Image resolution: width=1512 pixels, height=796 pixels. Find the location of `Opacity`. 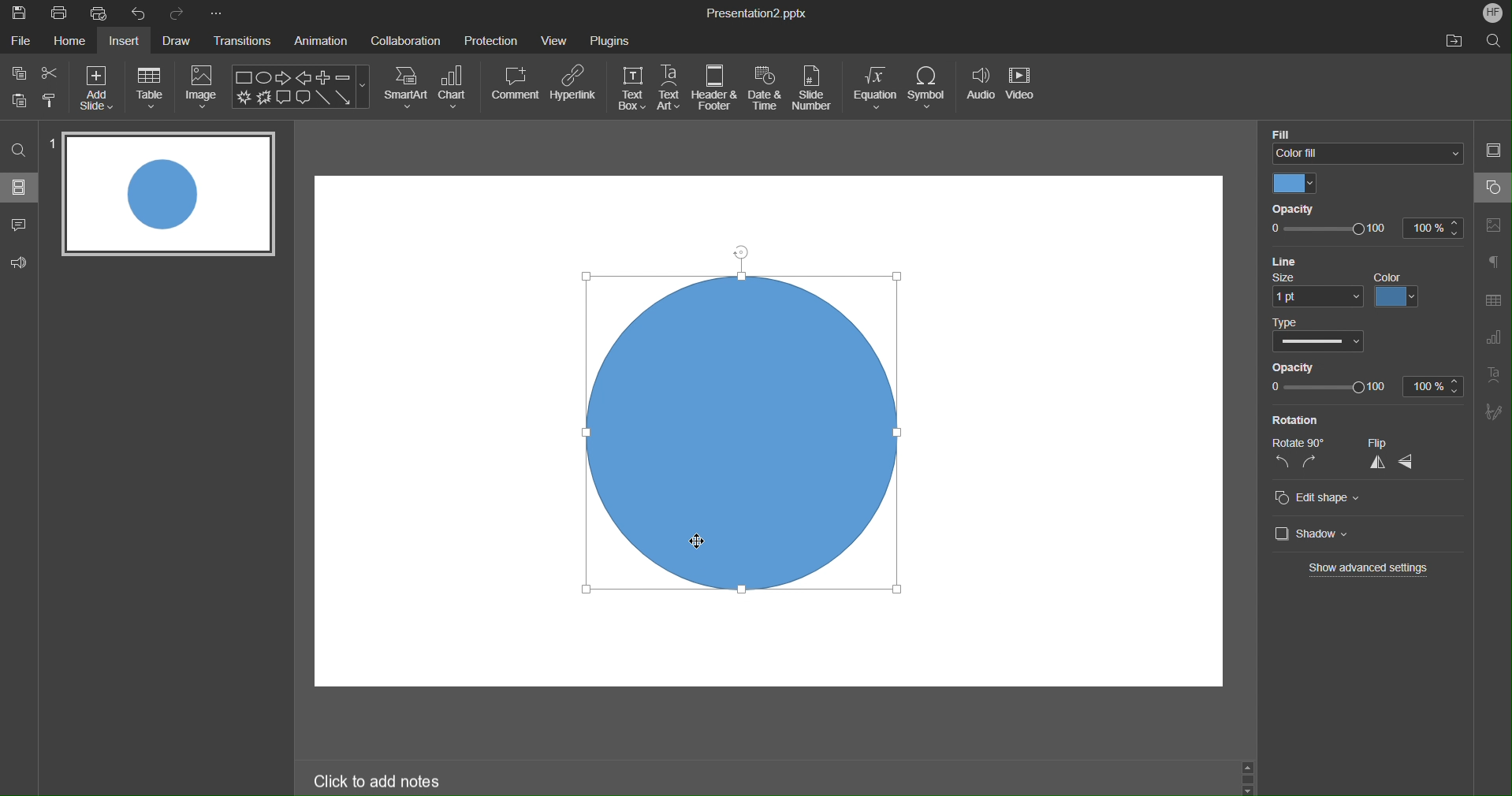

Opacity is located at coordinates (1345, 364).